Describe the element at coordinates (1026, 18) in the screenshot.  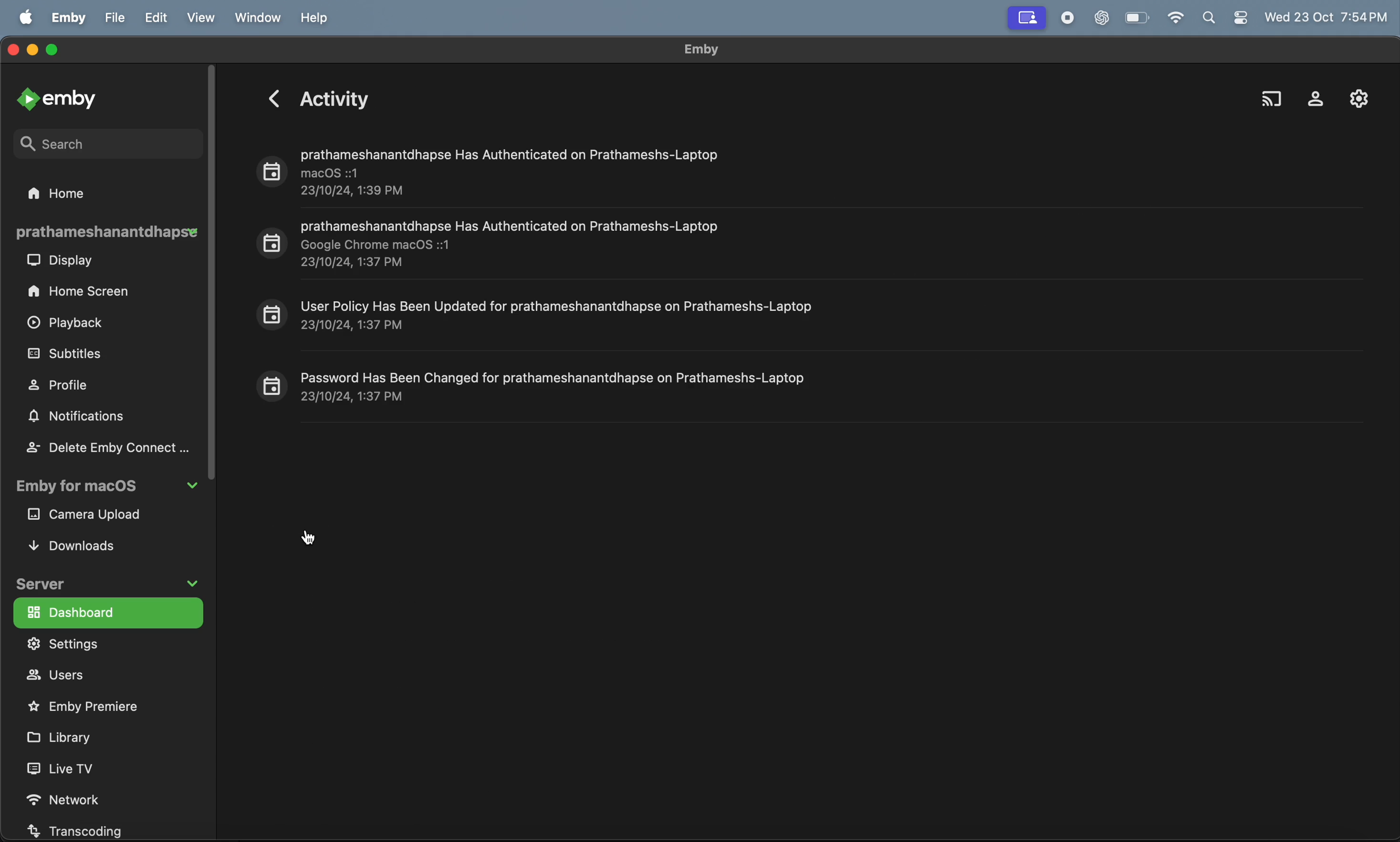
I see `mirror` at that location.